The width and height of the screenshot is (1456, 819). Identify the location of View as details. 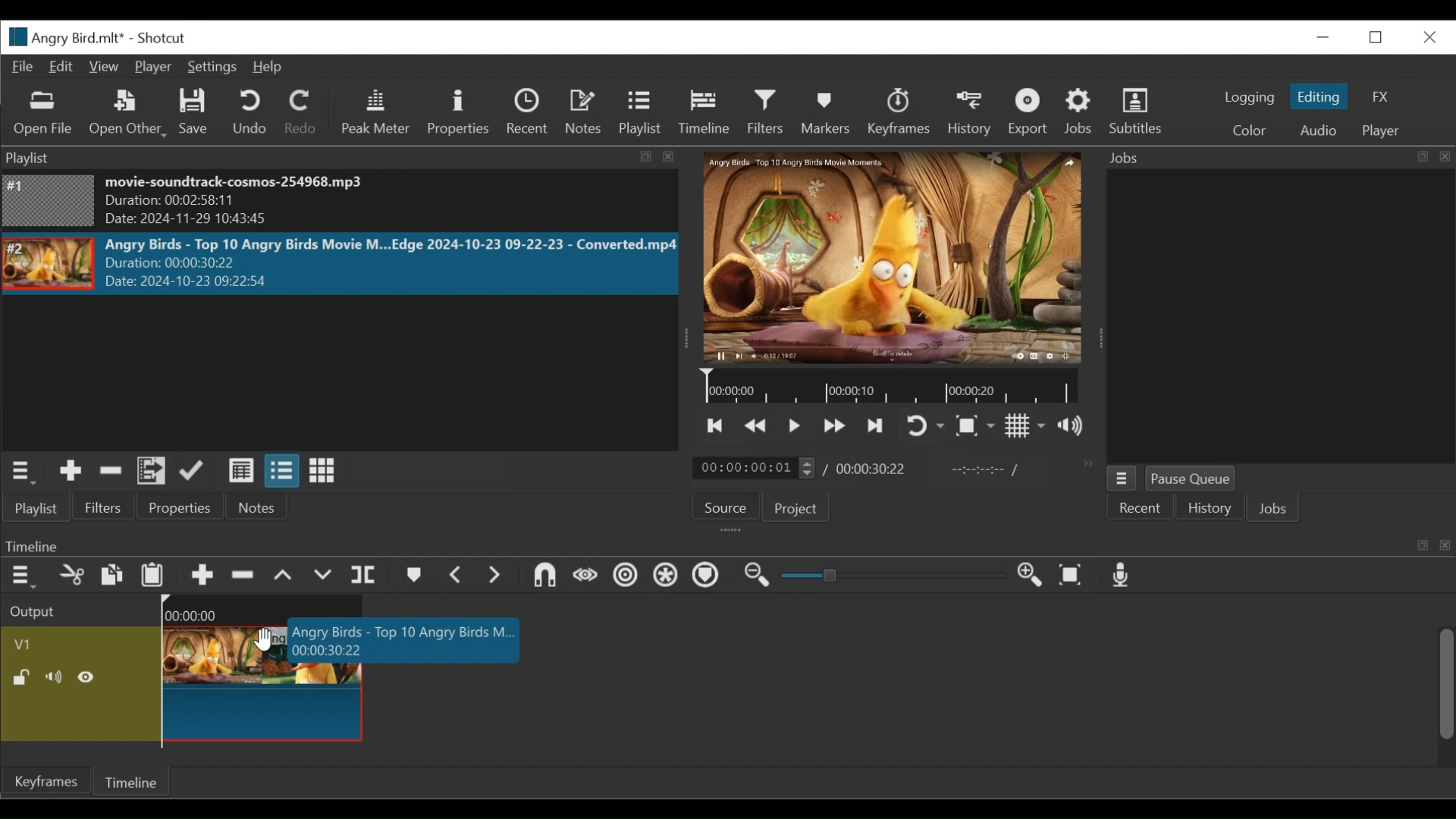
(240, 472).